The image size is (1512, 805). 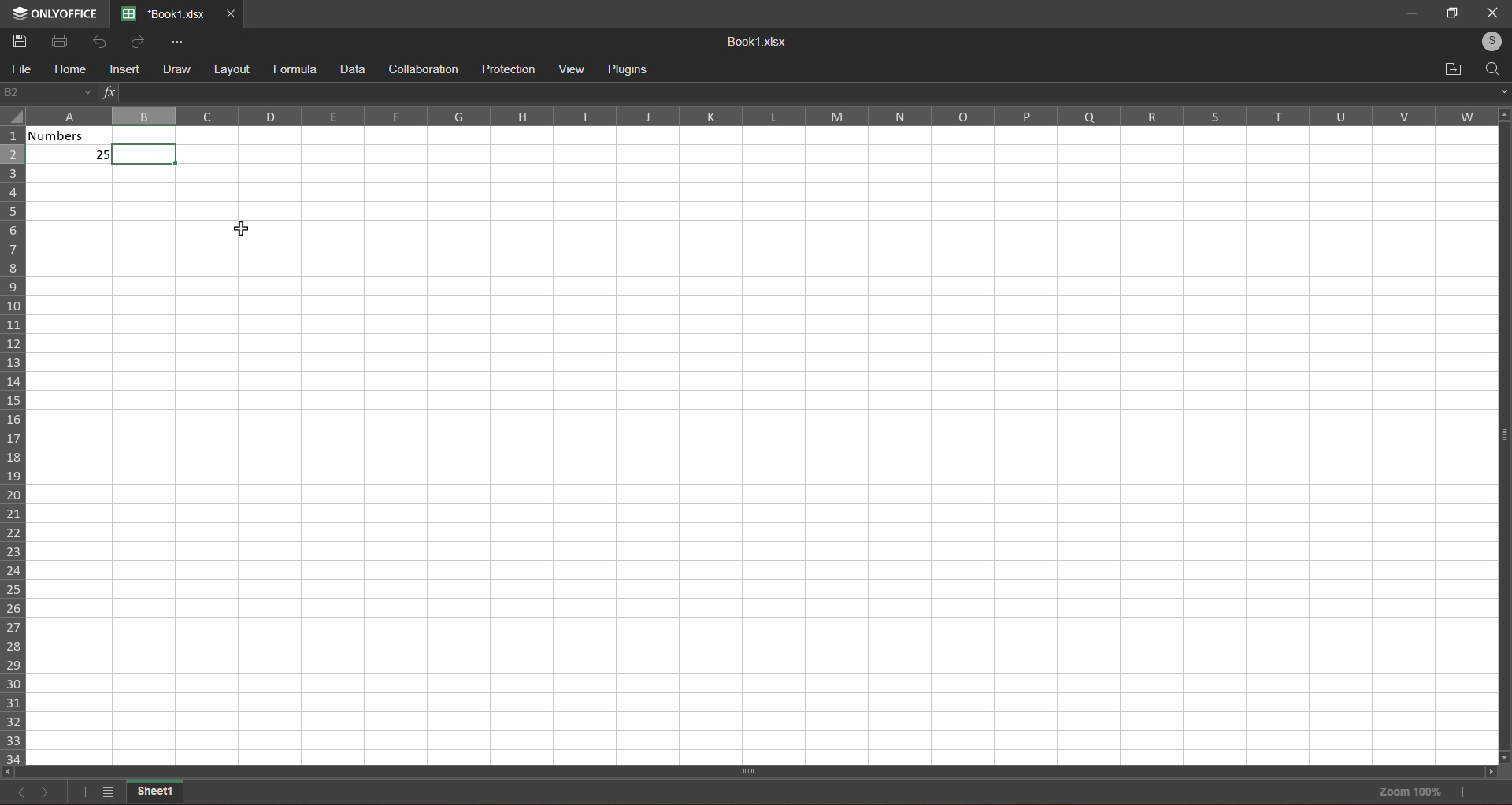 I want to click on layout, so click(x=231, y=69).